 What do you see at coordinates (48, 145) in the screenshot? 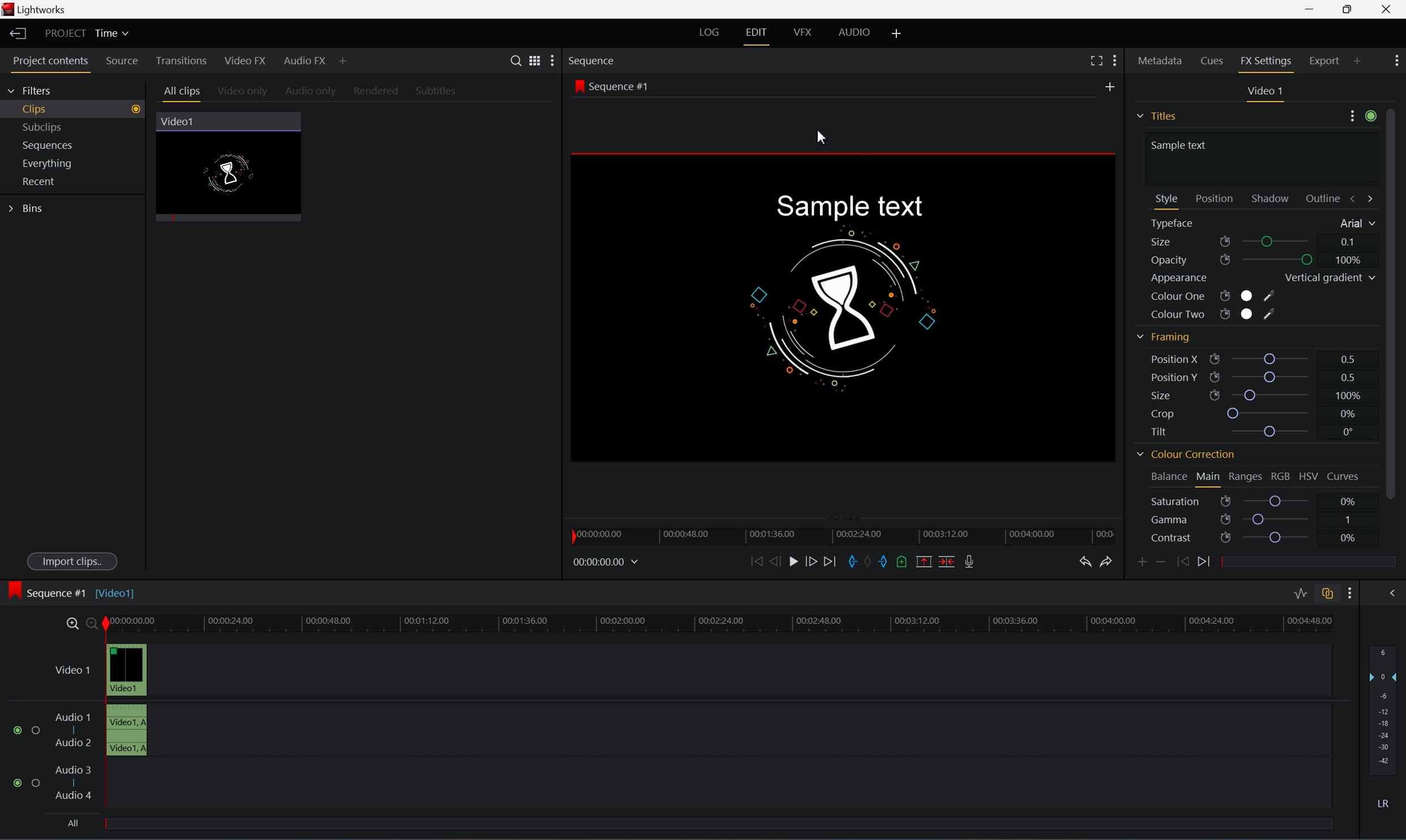
I see `sequences` at bounding box center [48, 145].